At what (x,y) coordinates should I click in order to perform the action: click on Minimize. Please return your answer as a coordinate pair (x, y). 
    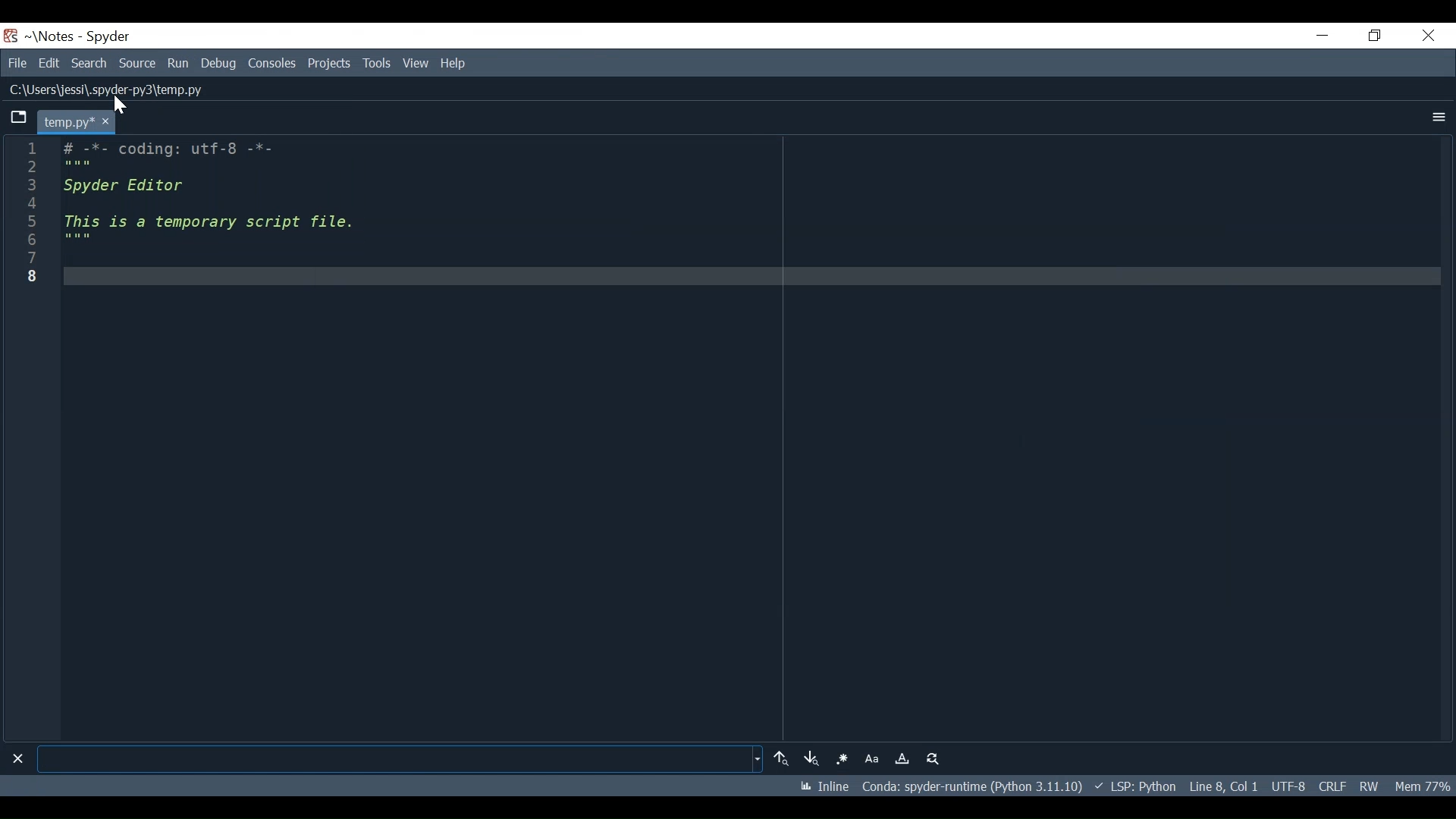
    Looking at the image, I should click on (1318, 34).